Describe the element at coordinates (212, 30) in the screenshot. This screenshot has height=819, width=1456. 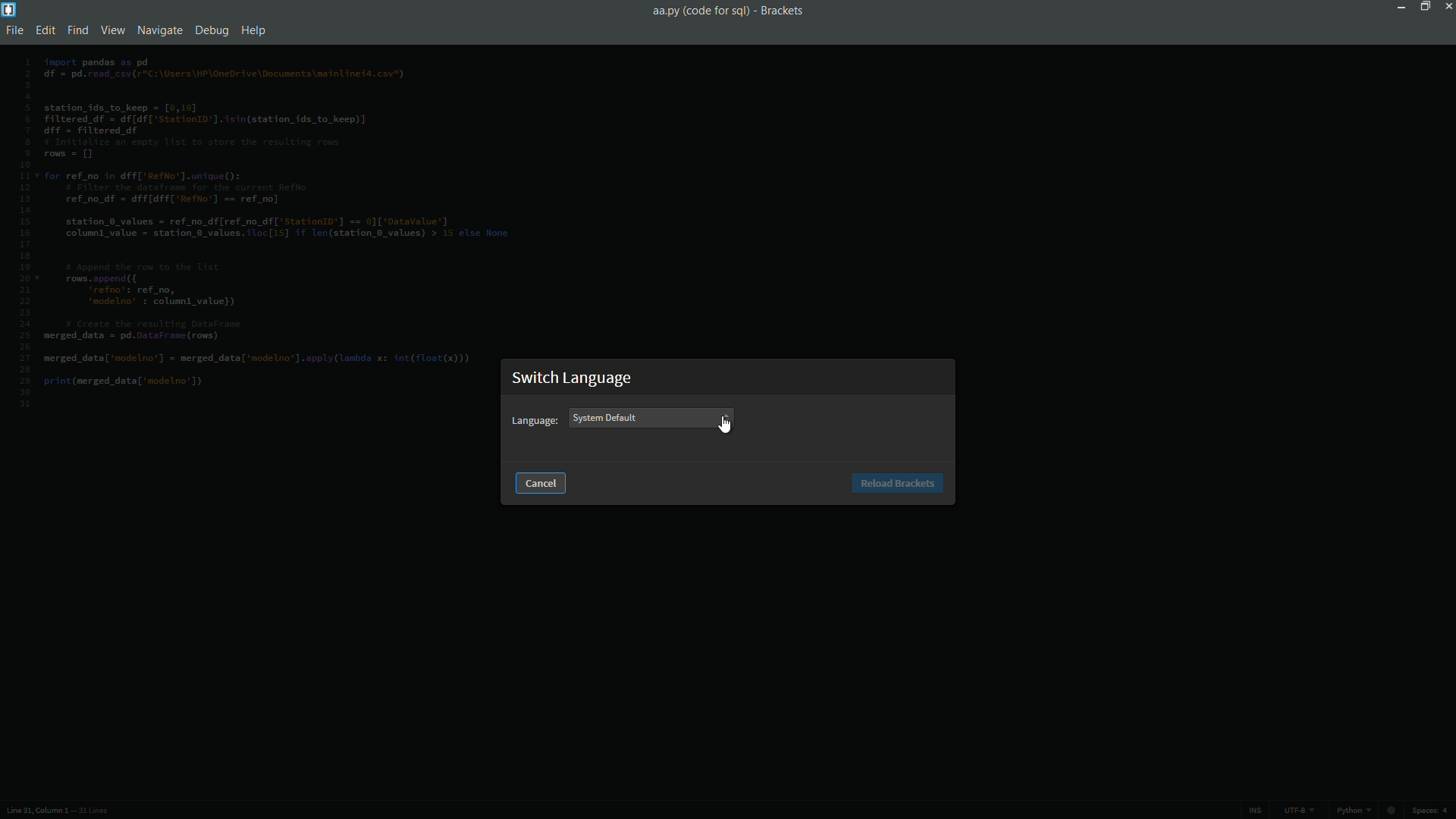
I see `debug menu` at that location.